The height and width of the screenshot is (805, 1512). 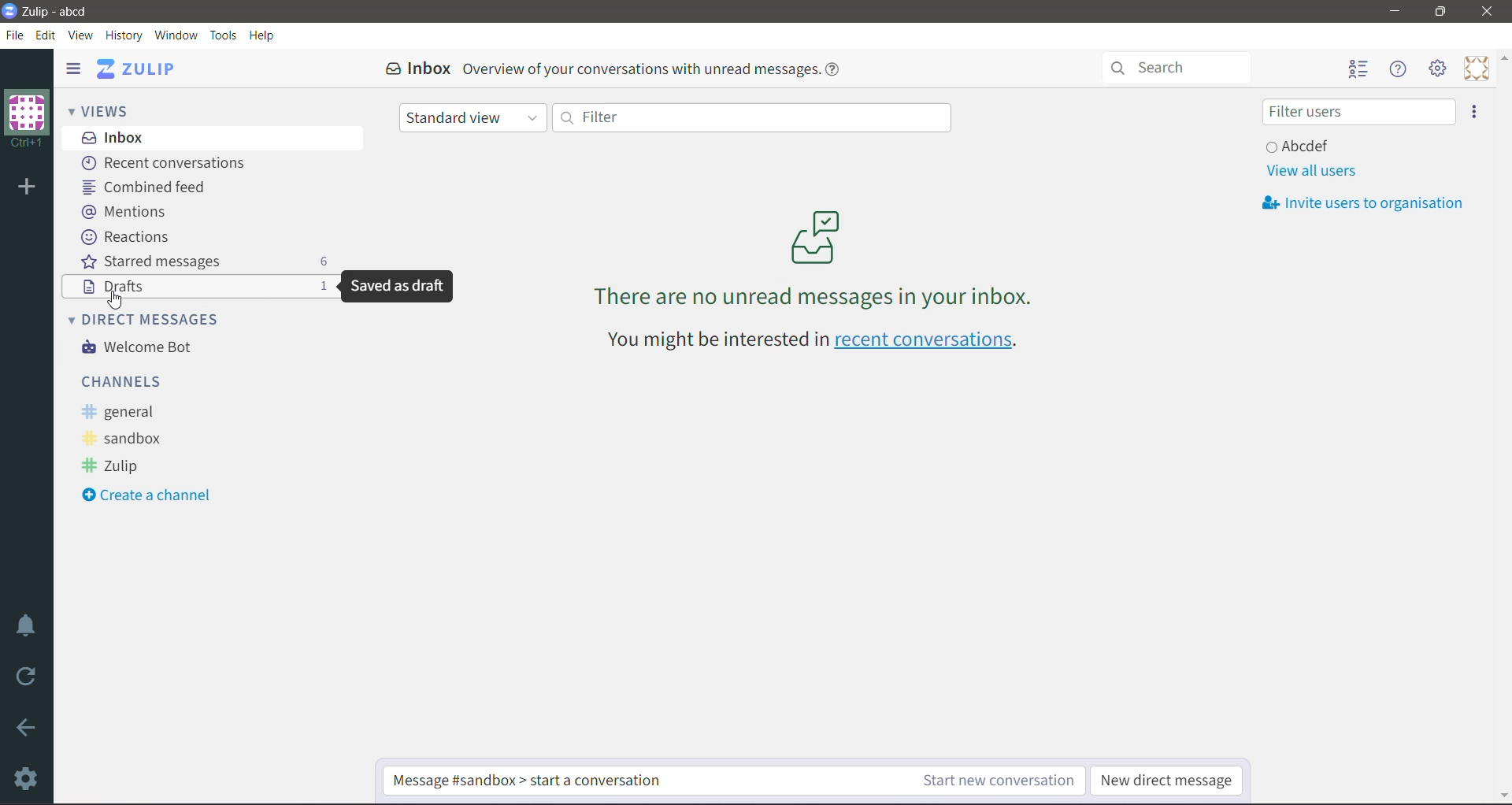 What do you see at coordinates (128, 237) in the screenshot?
I see `Reactions` at bounding box center [128, 237].